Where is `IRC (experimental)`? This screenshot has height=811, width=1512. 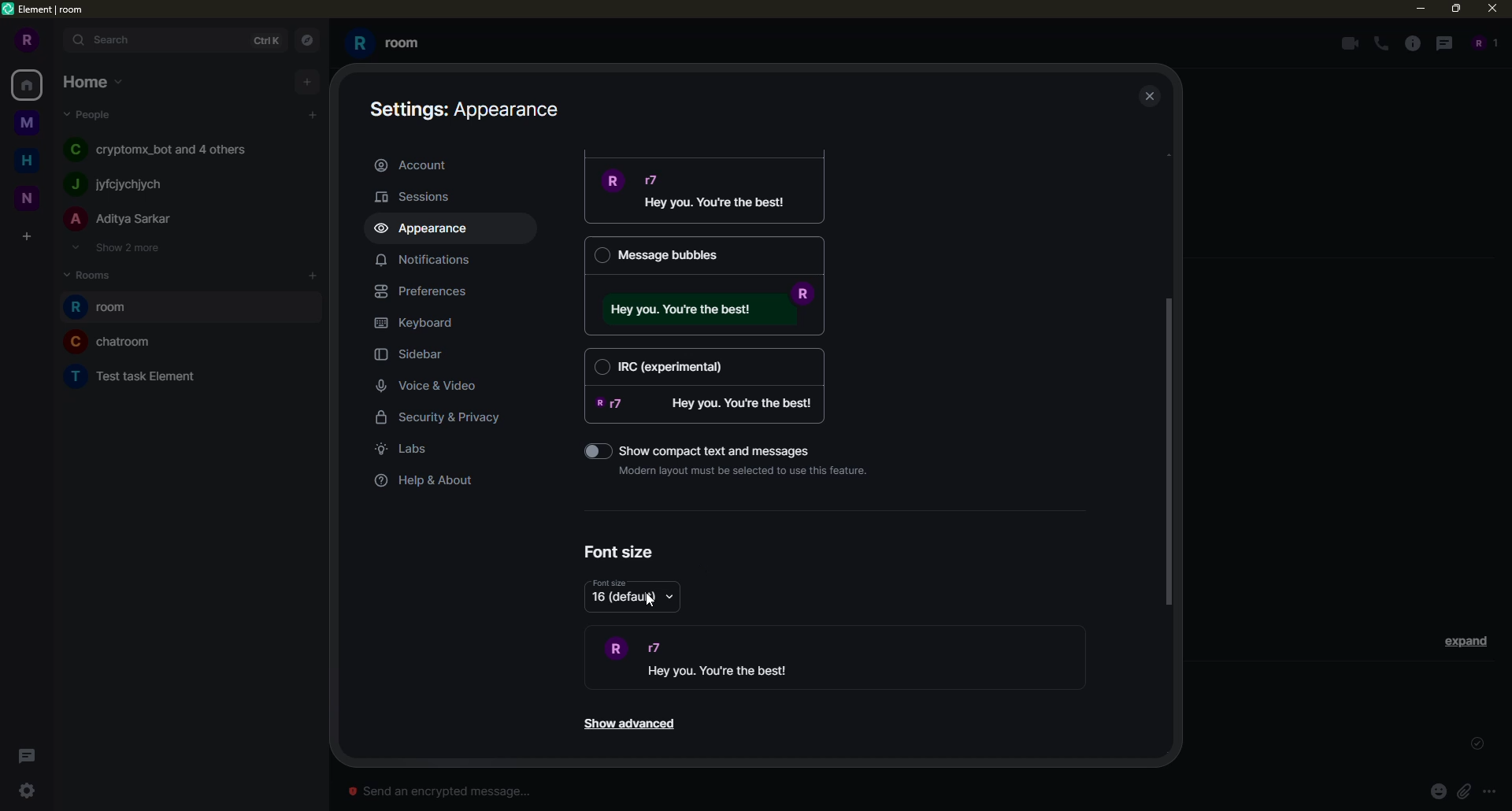 IRC (experimental) is located at coordinates (705, 365).